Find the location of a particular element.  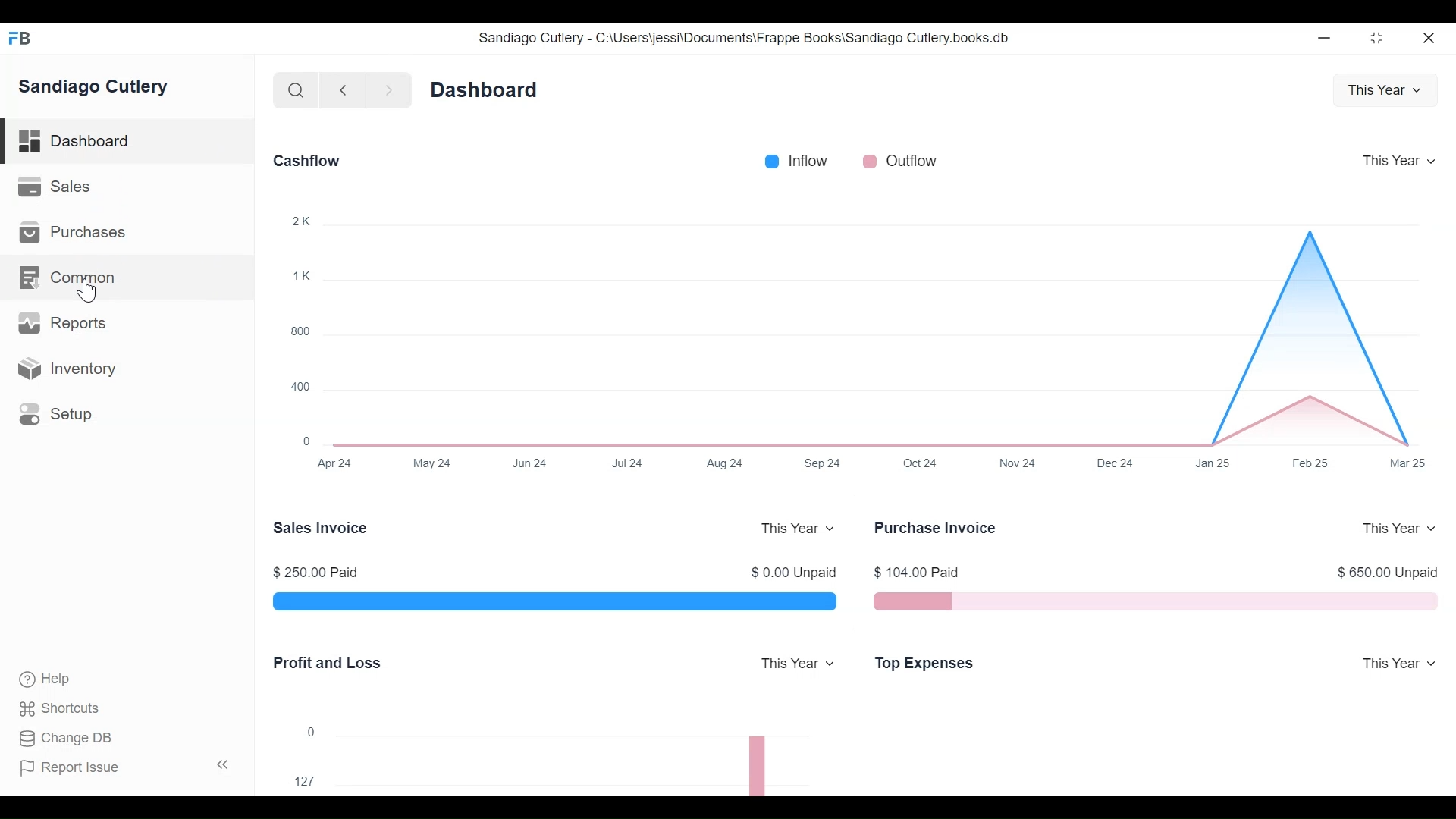

Setup is located at coordinates (127, 413).